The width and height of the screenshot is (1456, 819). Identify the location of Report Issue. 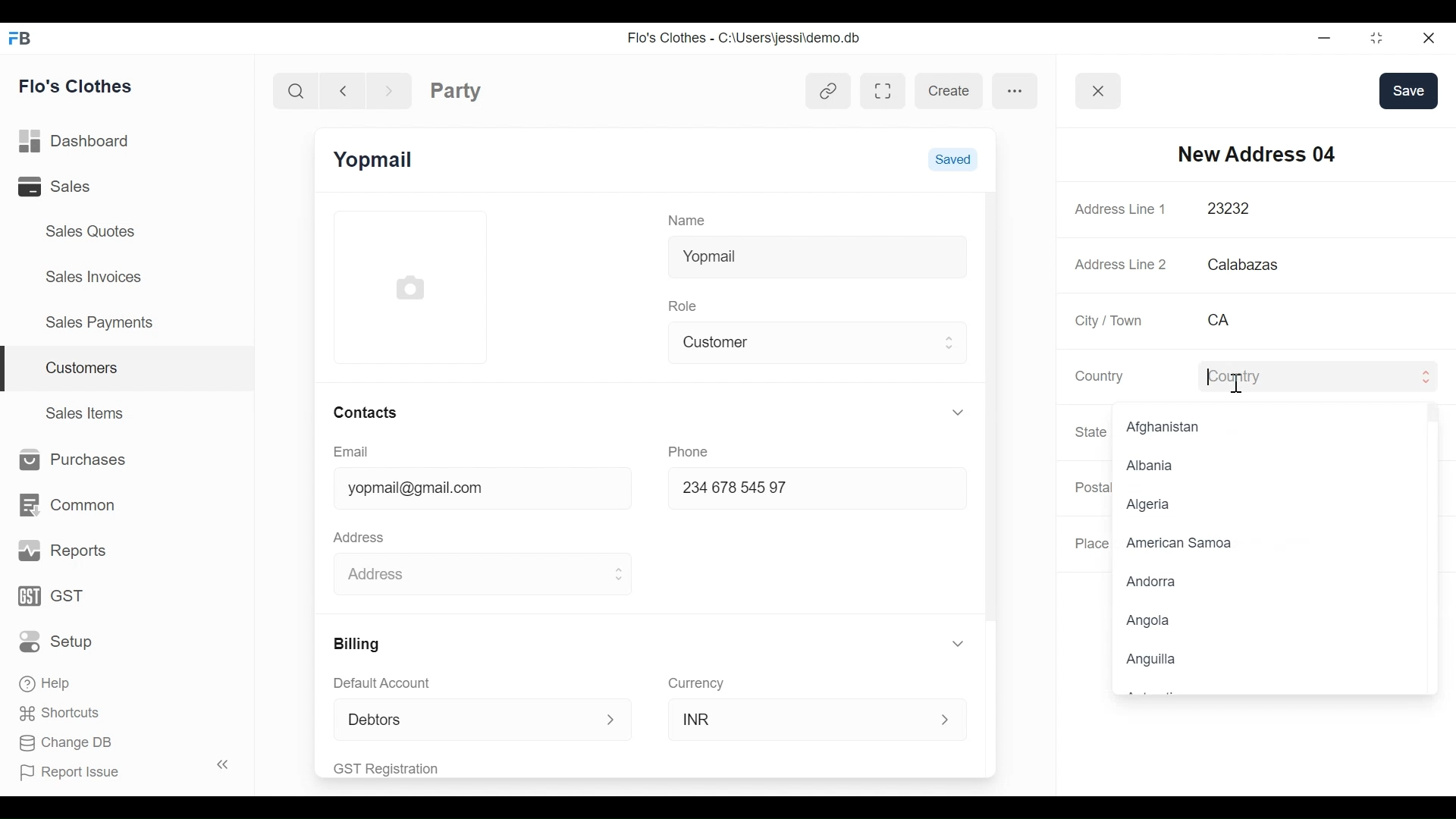
(117, 769).